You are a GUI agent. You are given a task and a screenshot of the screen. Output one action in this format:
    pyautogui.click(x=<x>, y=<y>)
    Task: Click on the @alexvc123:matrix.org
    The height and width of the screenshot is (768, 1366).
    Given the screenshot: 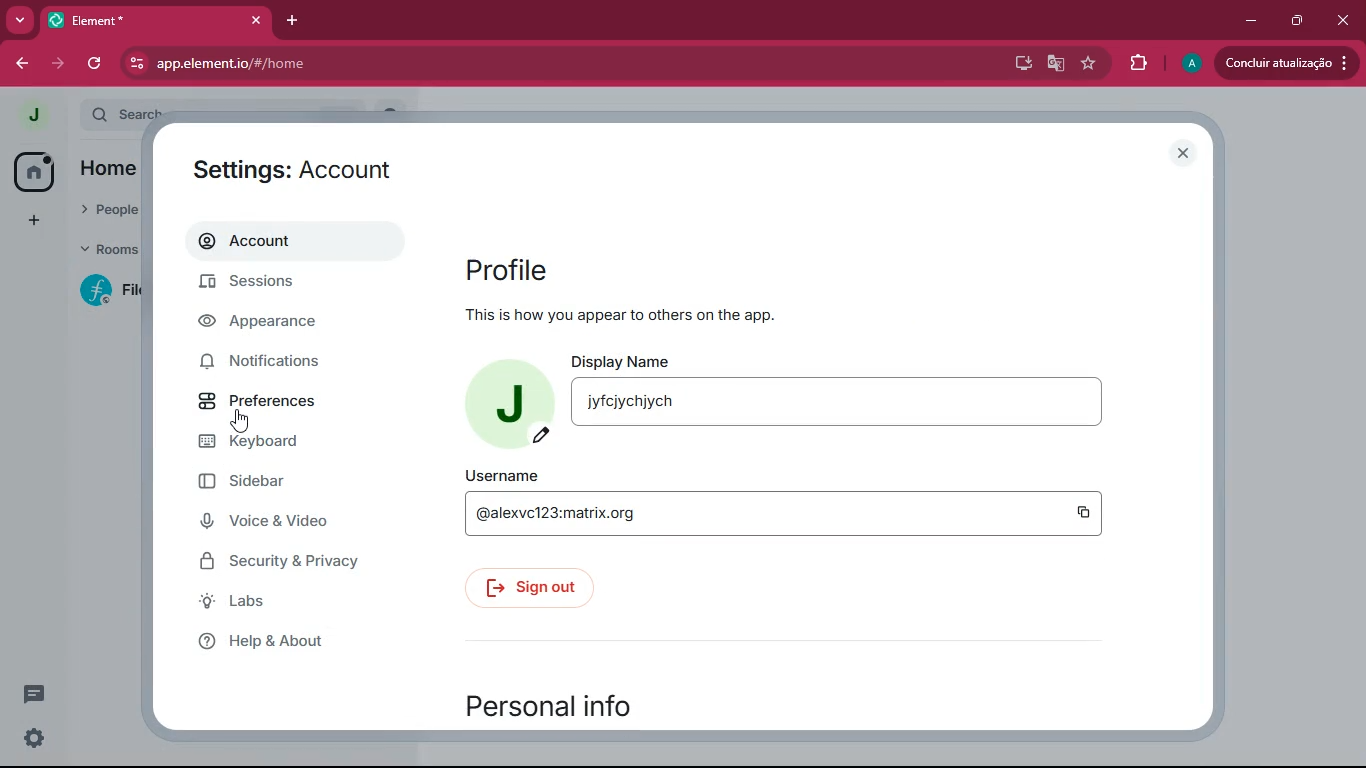 What is the action you would take?
    pyautogui.click(x=757, y=513)
    